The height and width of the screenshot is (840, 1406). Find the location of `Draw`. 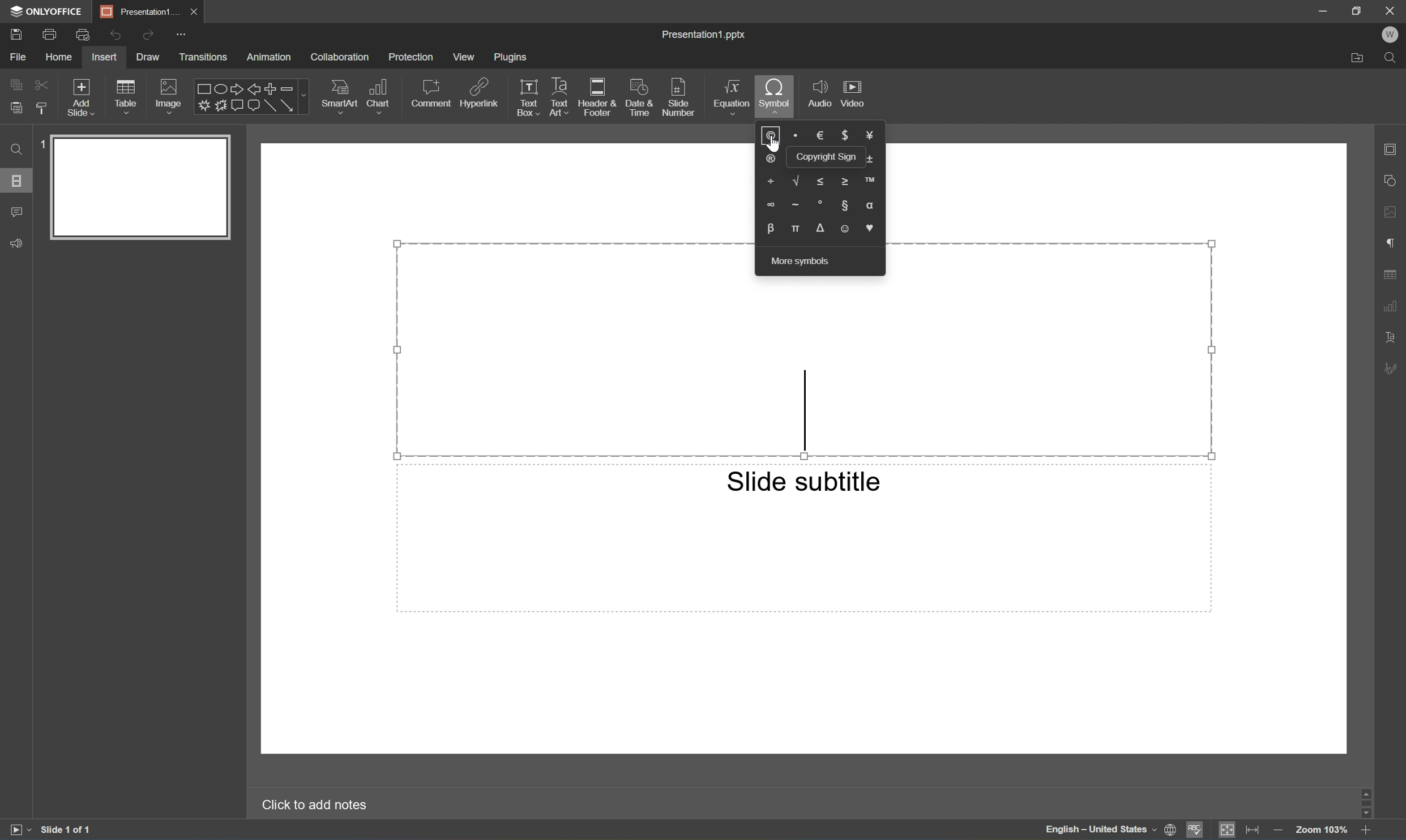

Draw is located at coordinates (148, 57).